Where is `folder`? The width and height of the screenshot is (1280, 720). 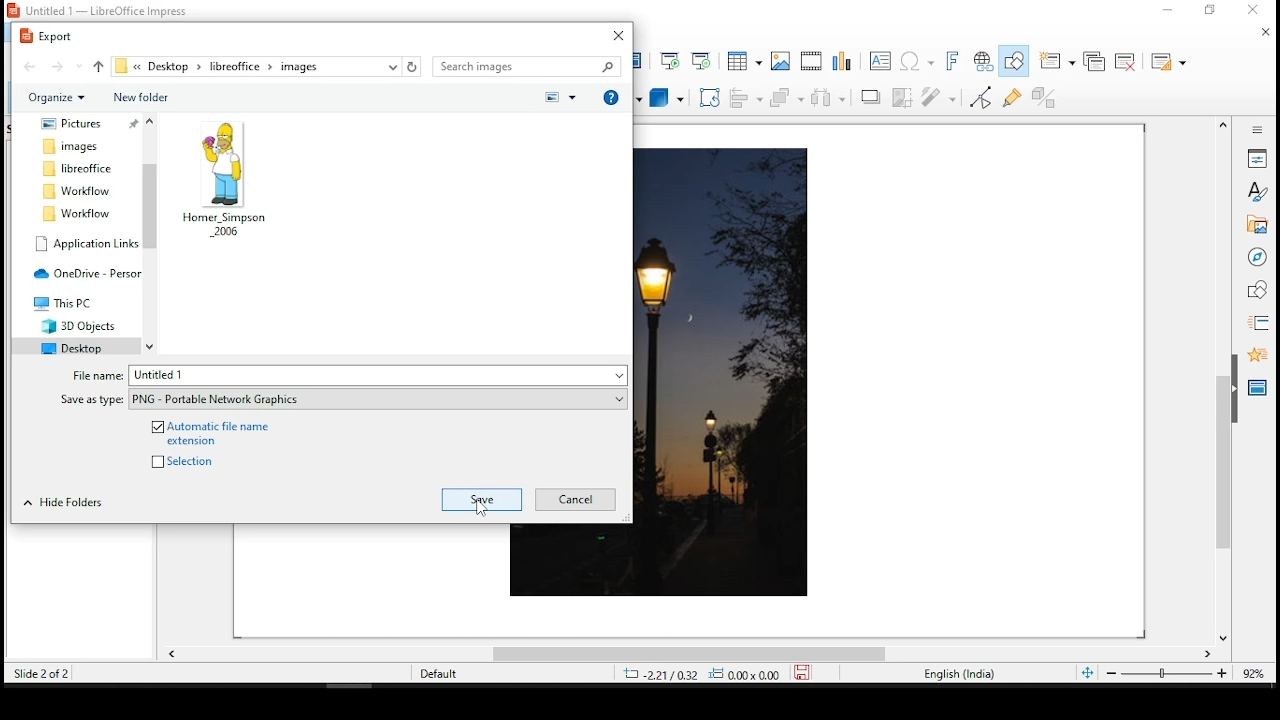 folder is located at coordinates (73, 146).